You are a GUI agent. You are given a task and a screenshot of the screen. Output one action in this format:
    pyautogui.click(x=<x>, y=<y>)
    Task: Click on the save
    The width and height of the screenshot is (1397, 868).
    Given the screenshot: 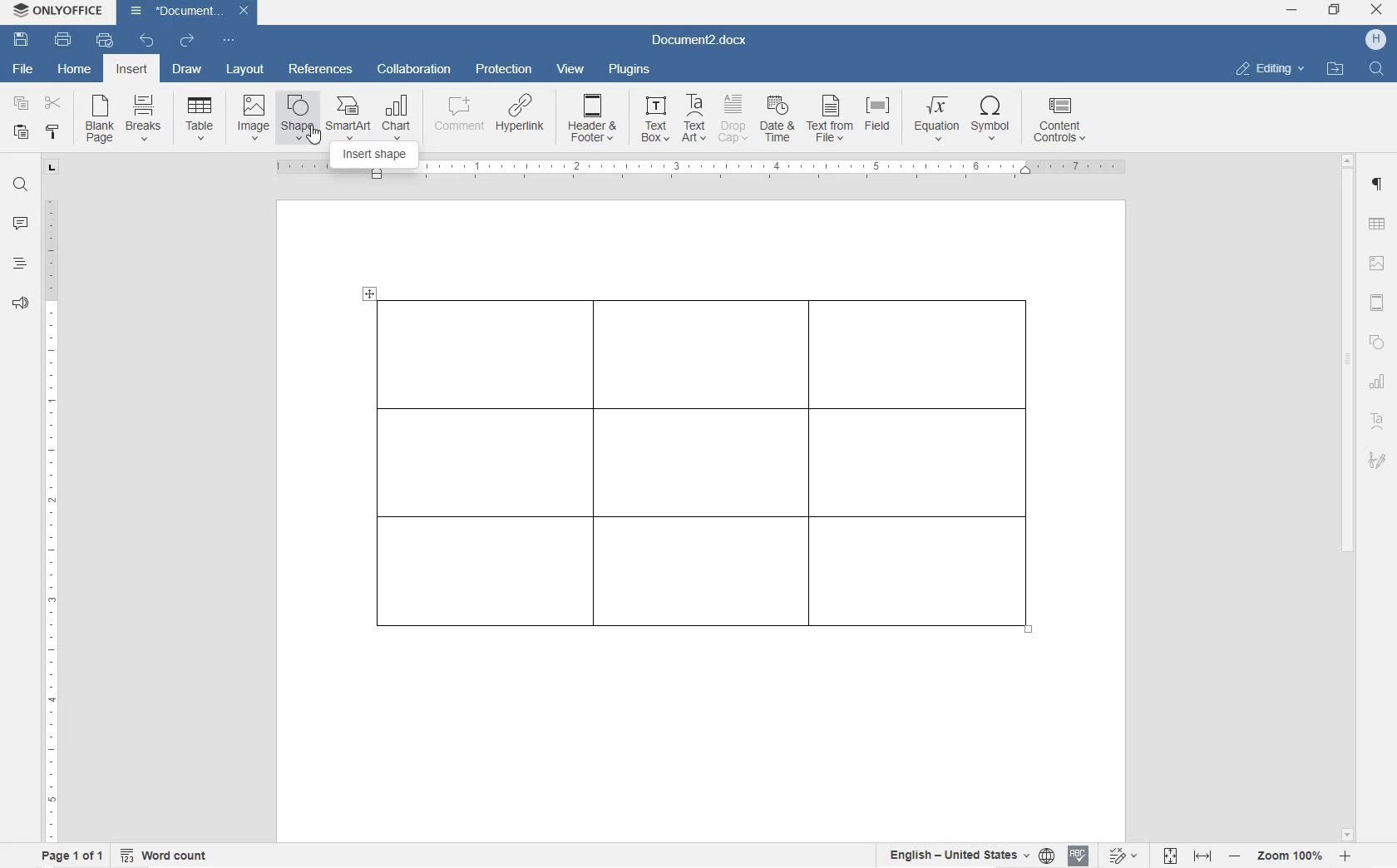 What is the action you would take?
    pyautogui.click(x=22, y=40)
    